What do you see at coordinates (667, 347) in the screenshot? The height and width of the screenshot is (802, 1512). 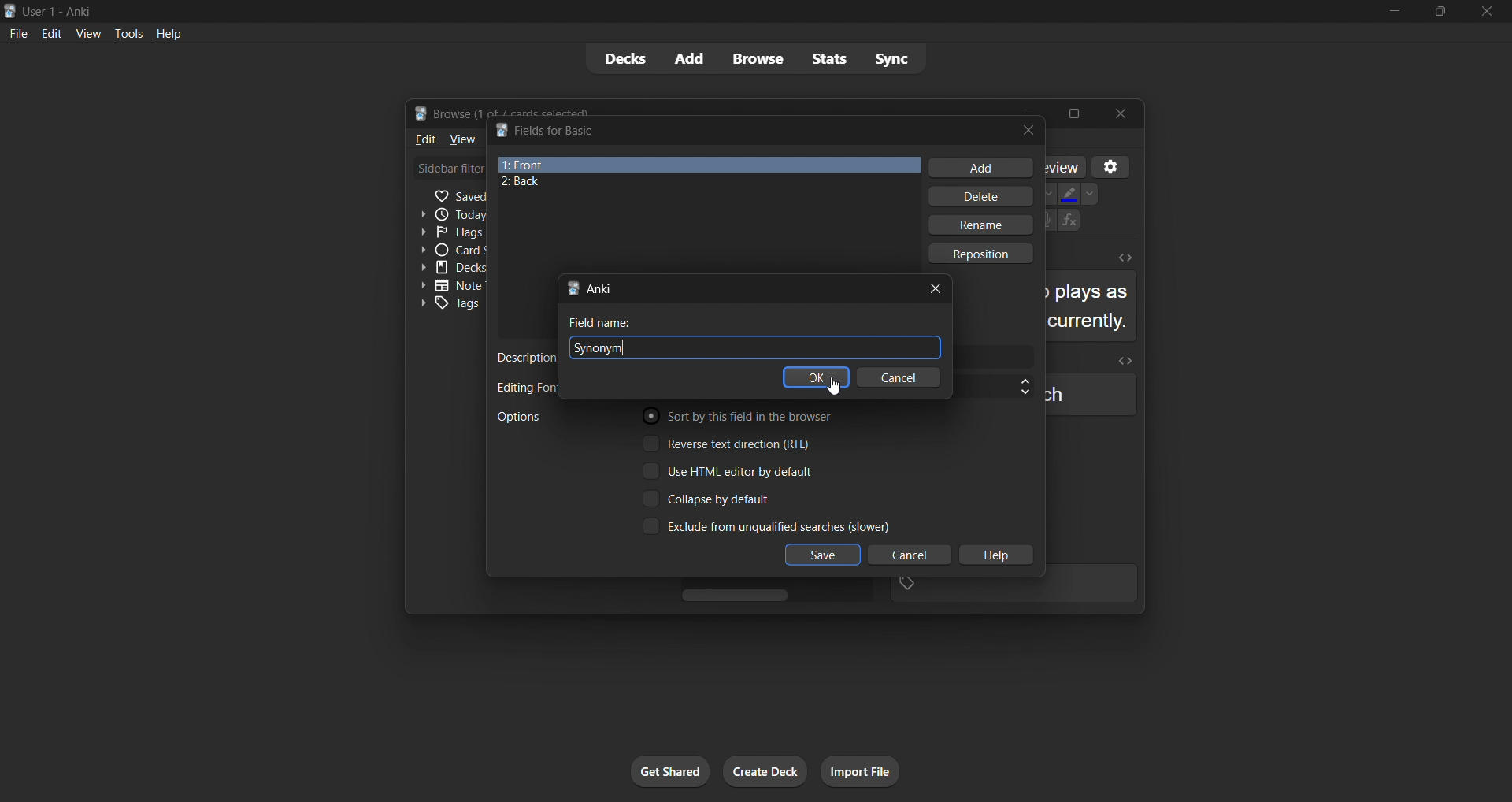 I see `field name input box` at bounding box center [667, 347].